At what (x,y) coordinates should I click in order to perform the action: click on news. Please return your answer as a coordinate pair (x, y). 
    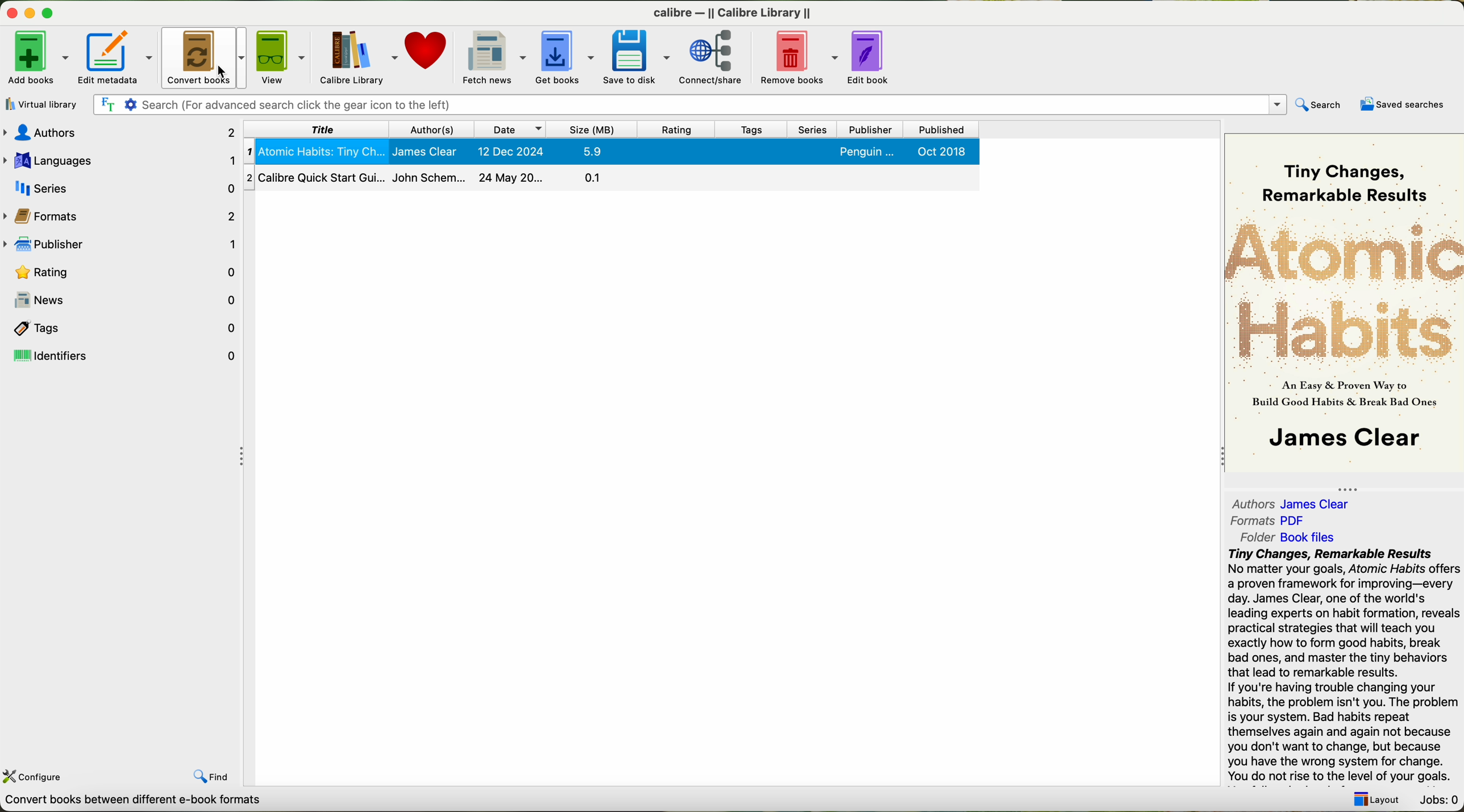
    Looking at the image, I should click on (123, 297).